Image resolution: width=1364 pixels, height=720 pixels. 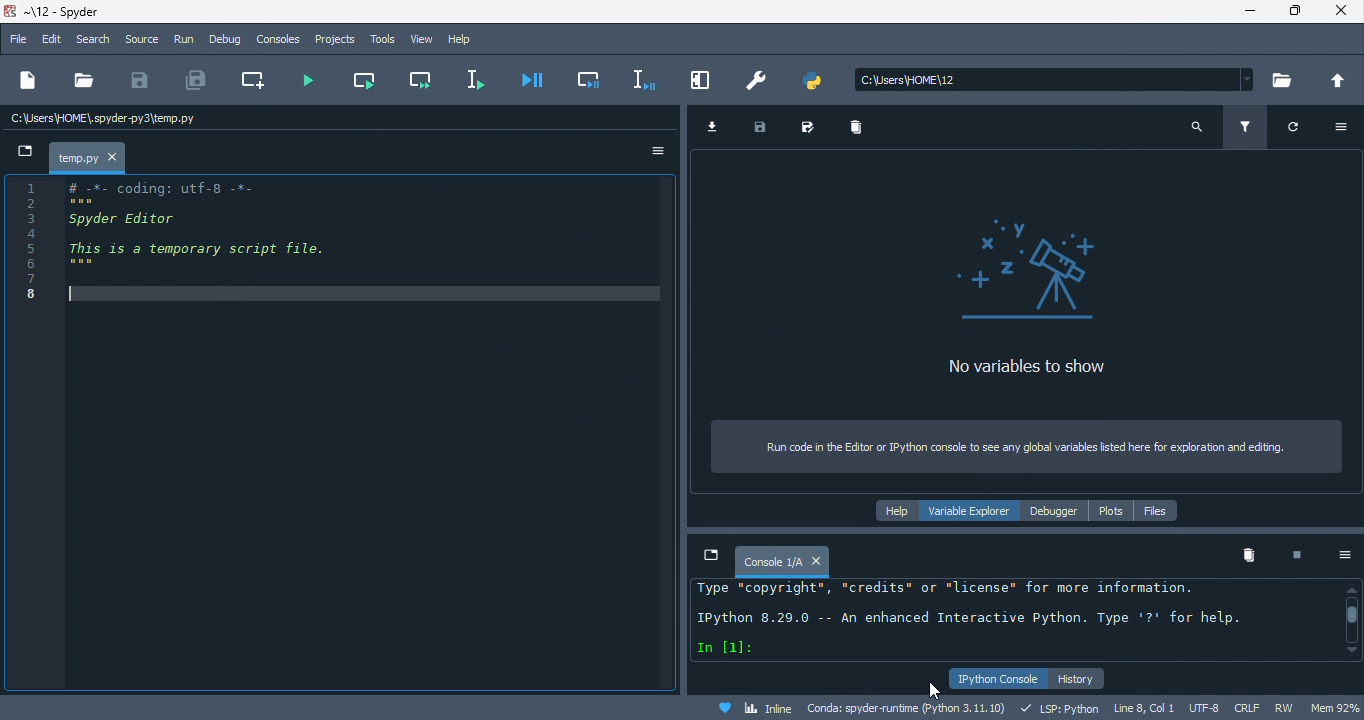 I want to click on debug cell, so click(x=584, y=79).